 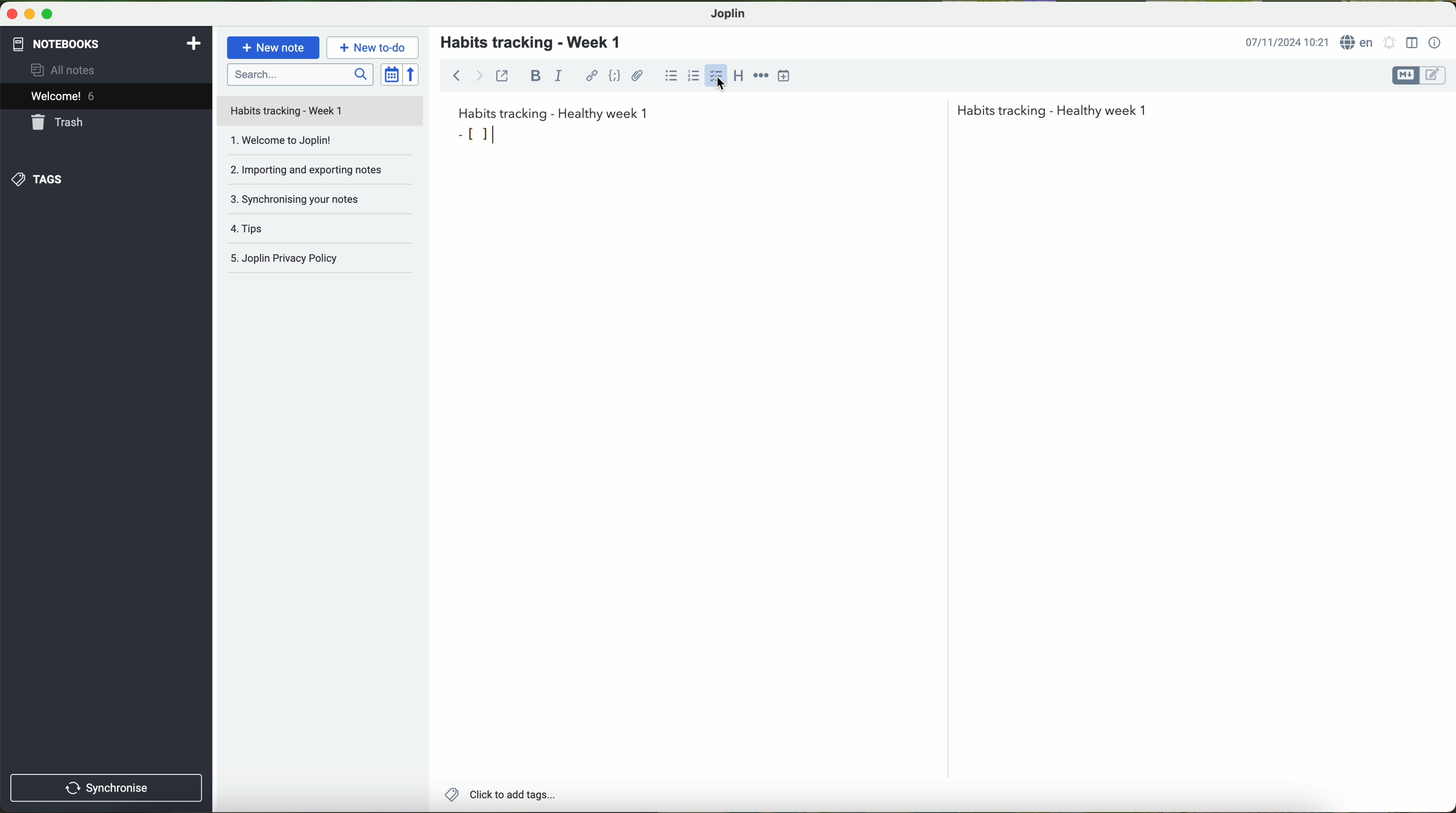 I want to click on reverse sort order, so click(x=412, y=74).